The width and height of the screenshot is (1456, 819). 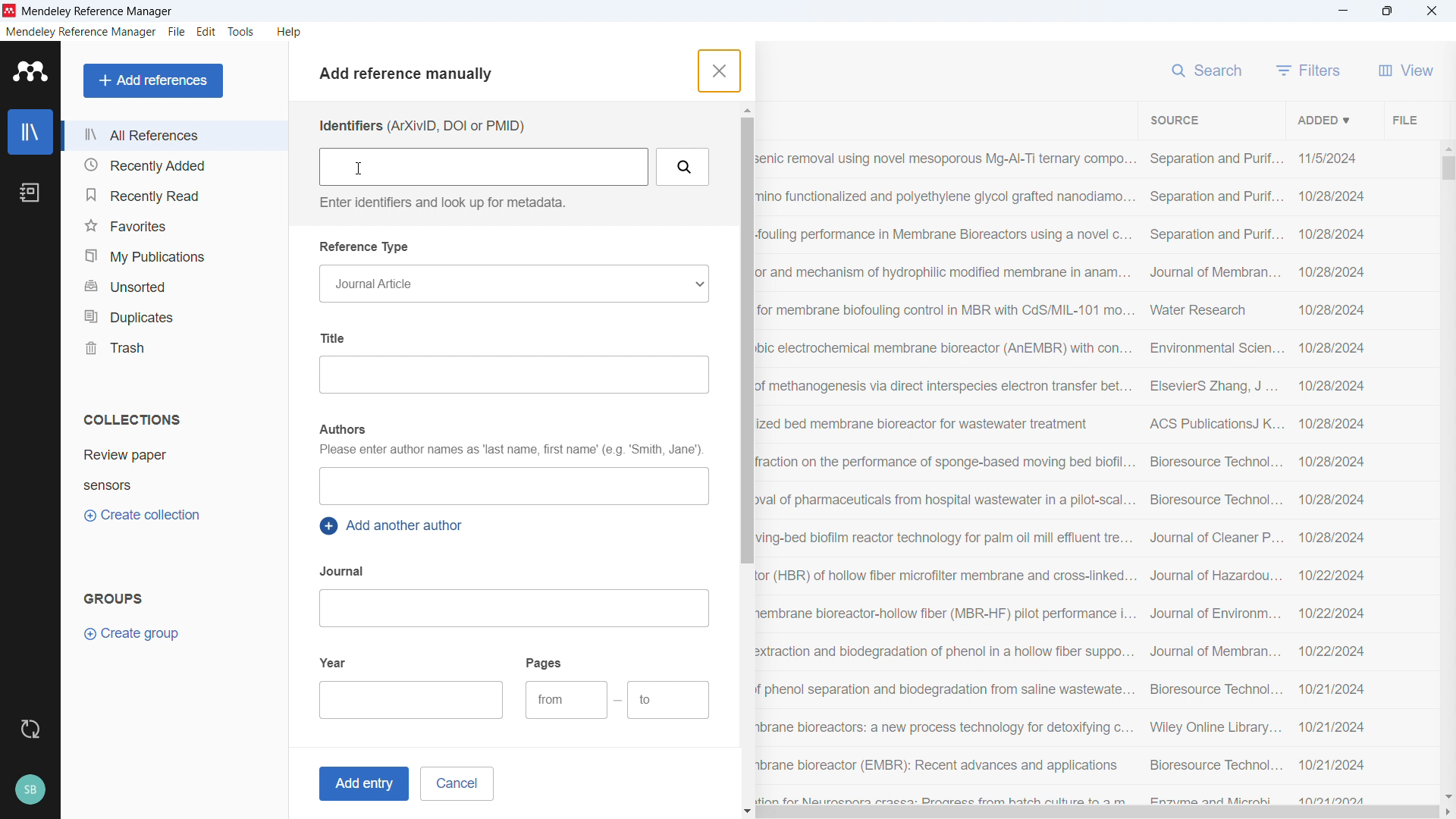 I want to click on Groups , so click(x=114, y=598).